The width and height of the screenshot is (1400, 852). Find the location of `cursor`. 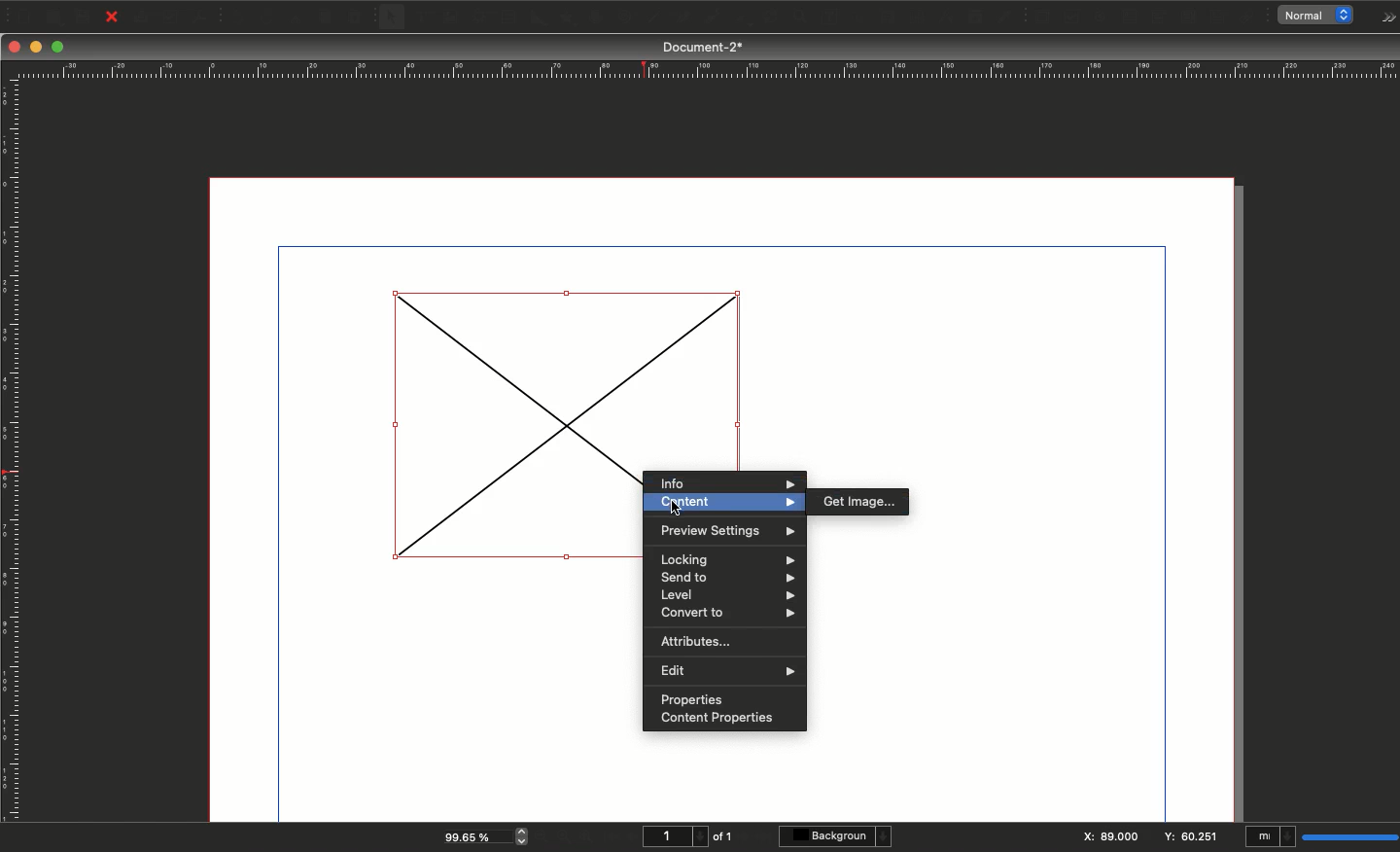

cursor is located at coordinates (679, 506).